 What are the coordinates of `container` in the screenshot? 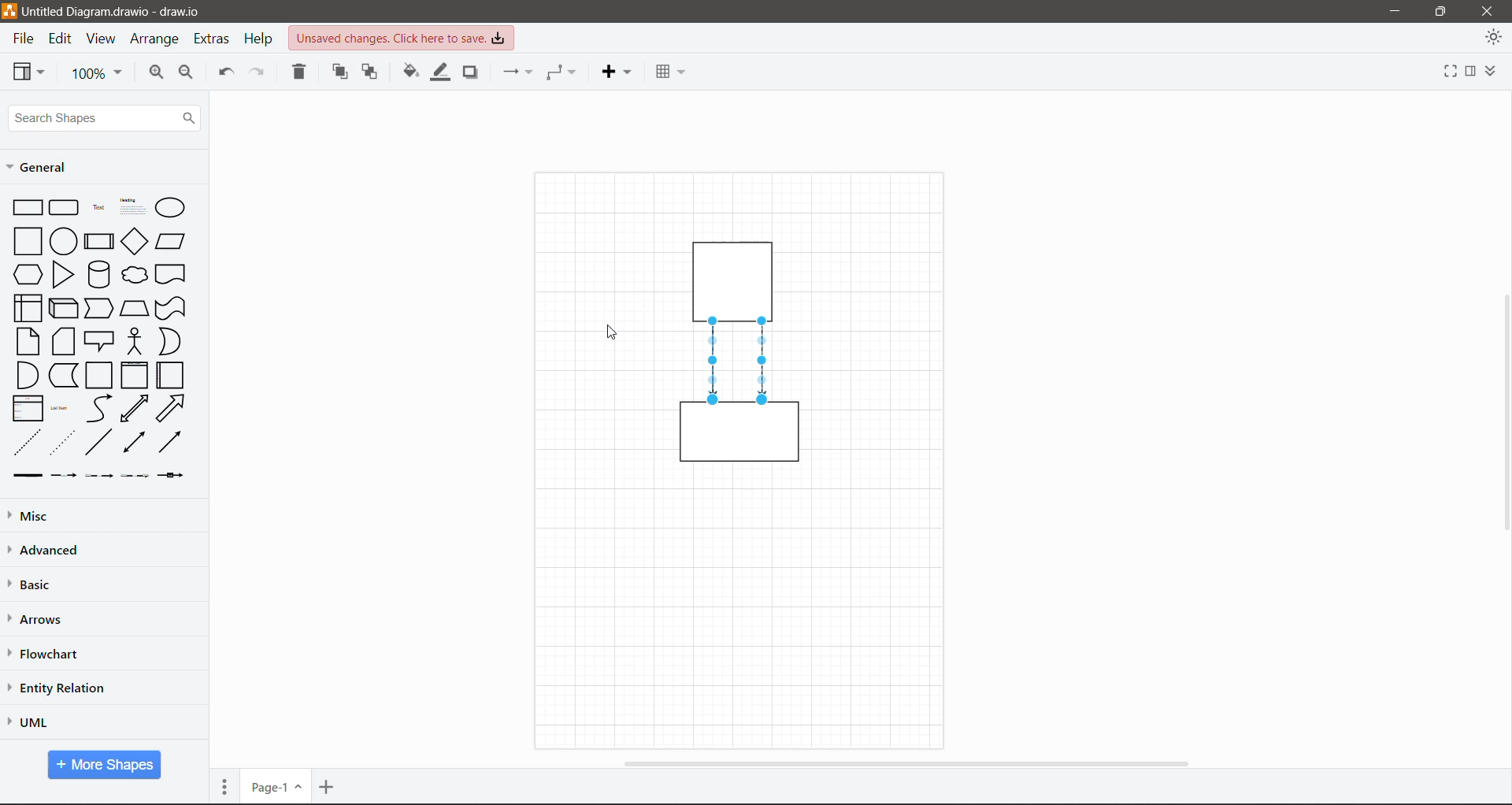 It's located at (740, 437).